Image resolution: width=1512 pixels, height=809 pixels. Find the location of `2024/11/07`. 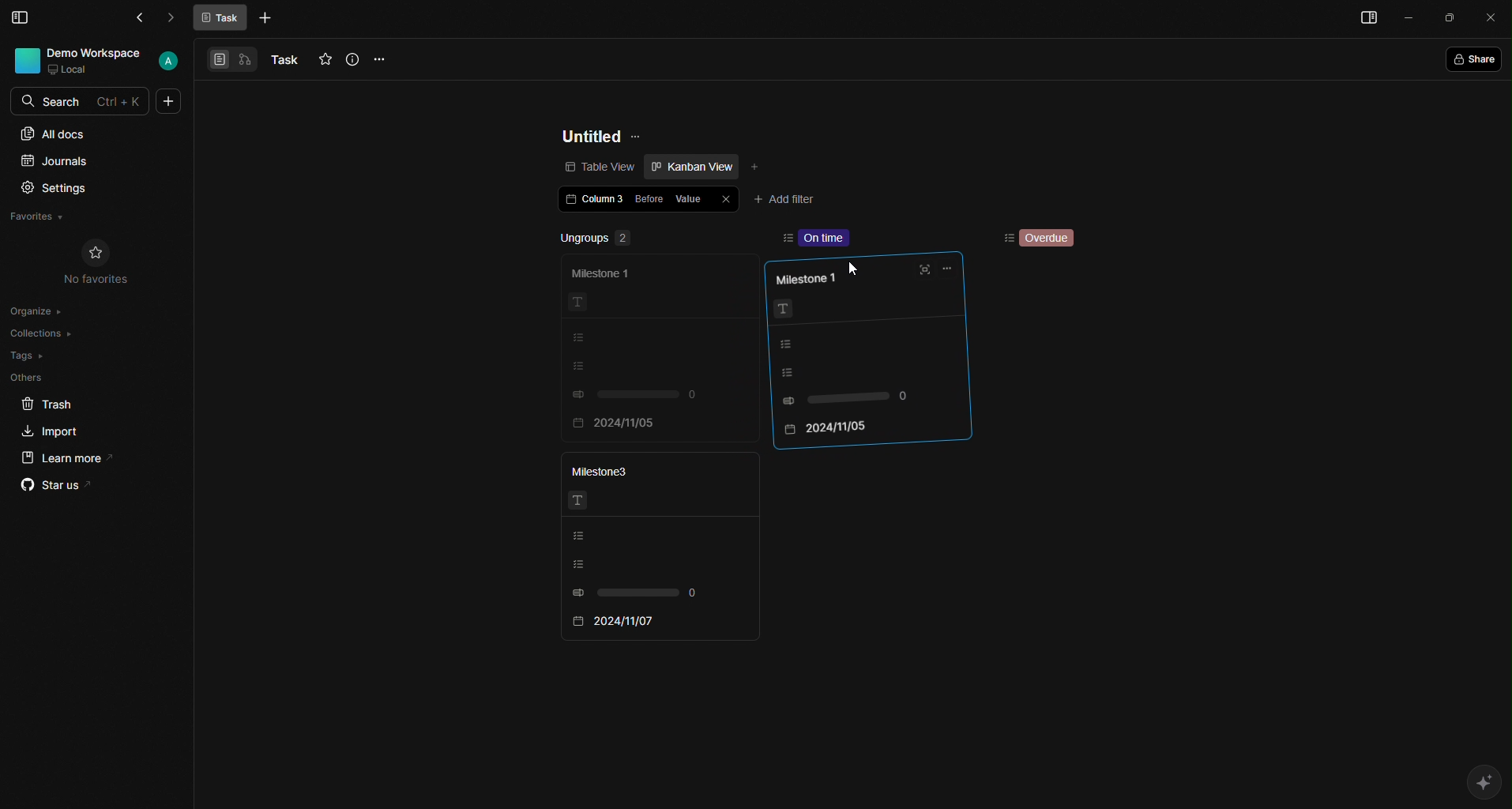

2024/11/07 is located at coordinates (615, 622).